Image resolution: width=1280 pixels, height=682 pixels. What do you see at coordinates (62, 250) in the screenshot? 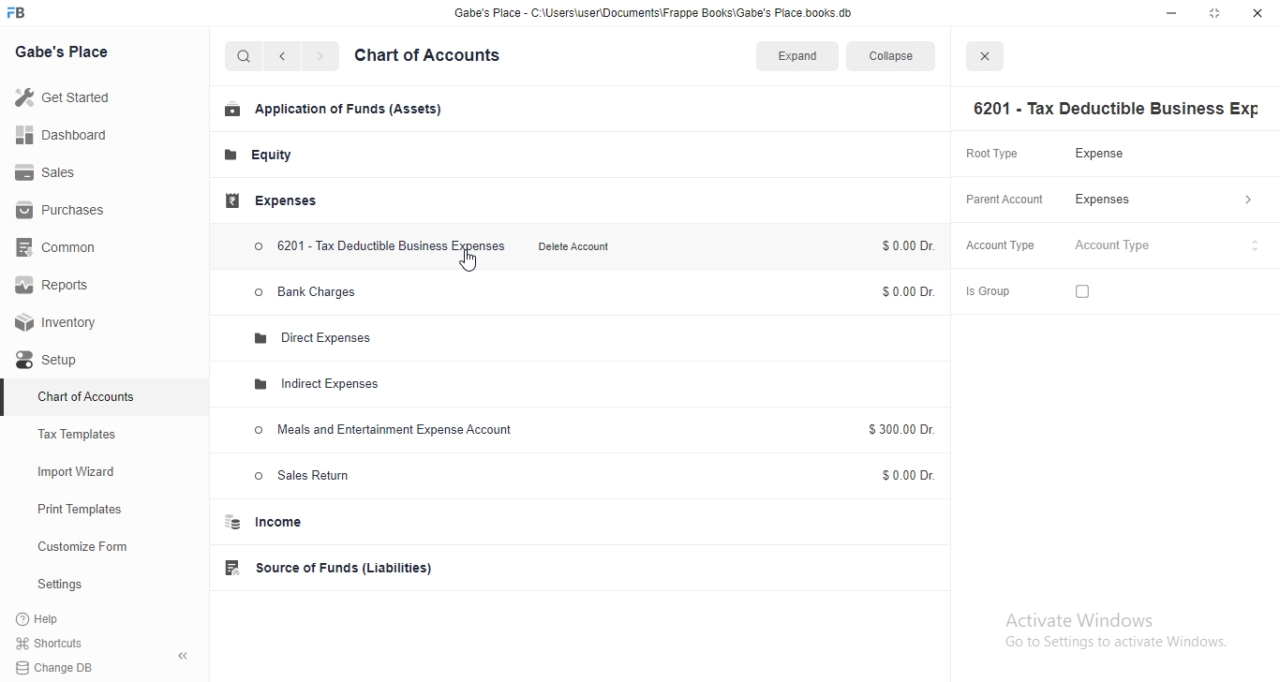
I see `Common` at bounding box center [62, 250].